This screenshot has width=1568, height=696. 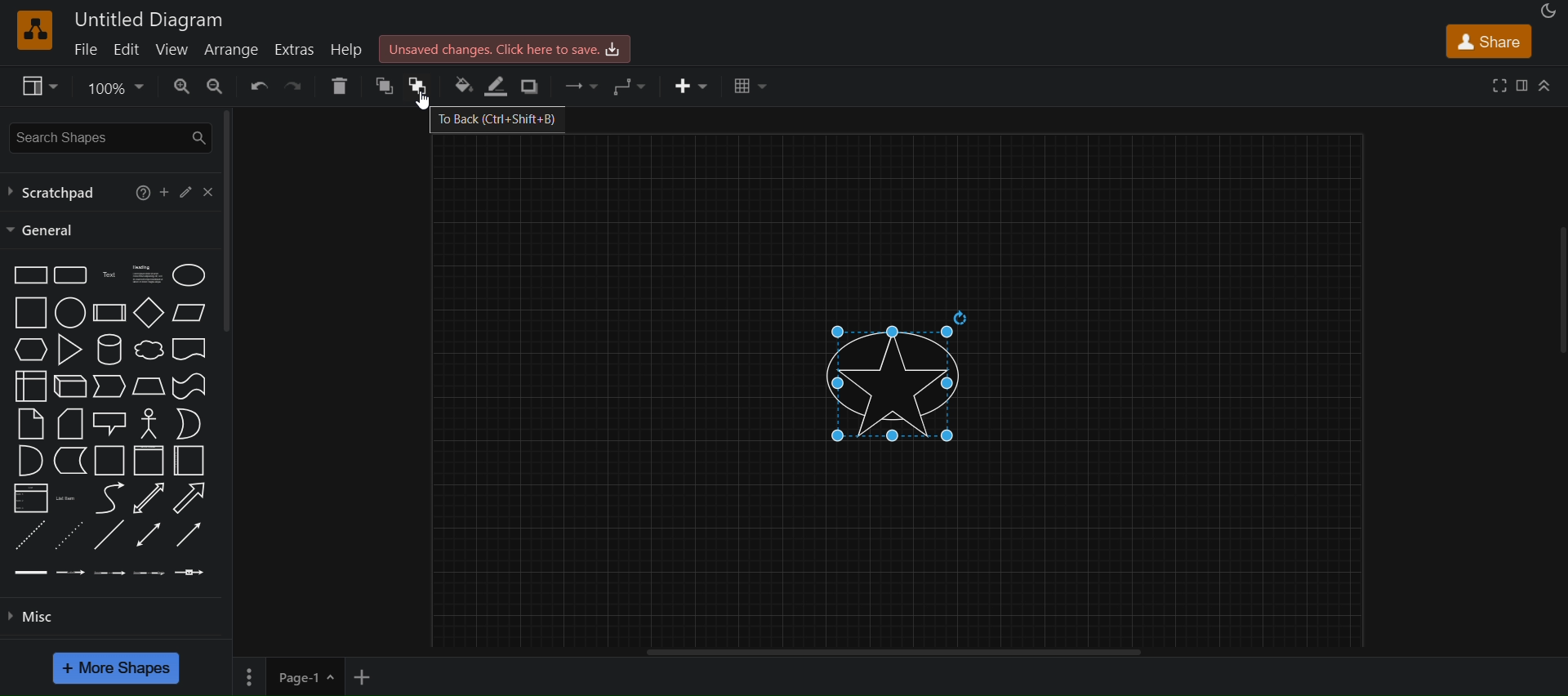 What do you see at coordinates (28, 572) in the screenshot?
I see `link` at bounding box center [28, 572].